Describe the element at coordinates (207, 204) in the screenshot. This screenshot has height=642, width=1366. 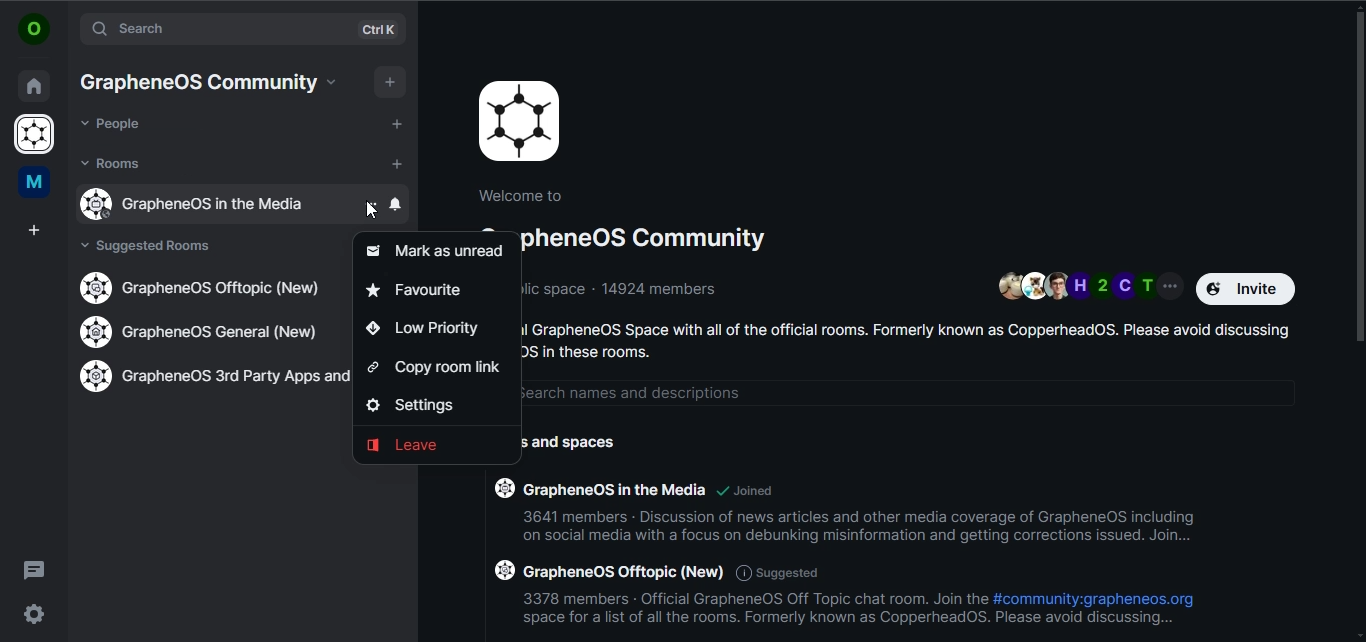
I see `grapheneOS in the media` at that location.